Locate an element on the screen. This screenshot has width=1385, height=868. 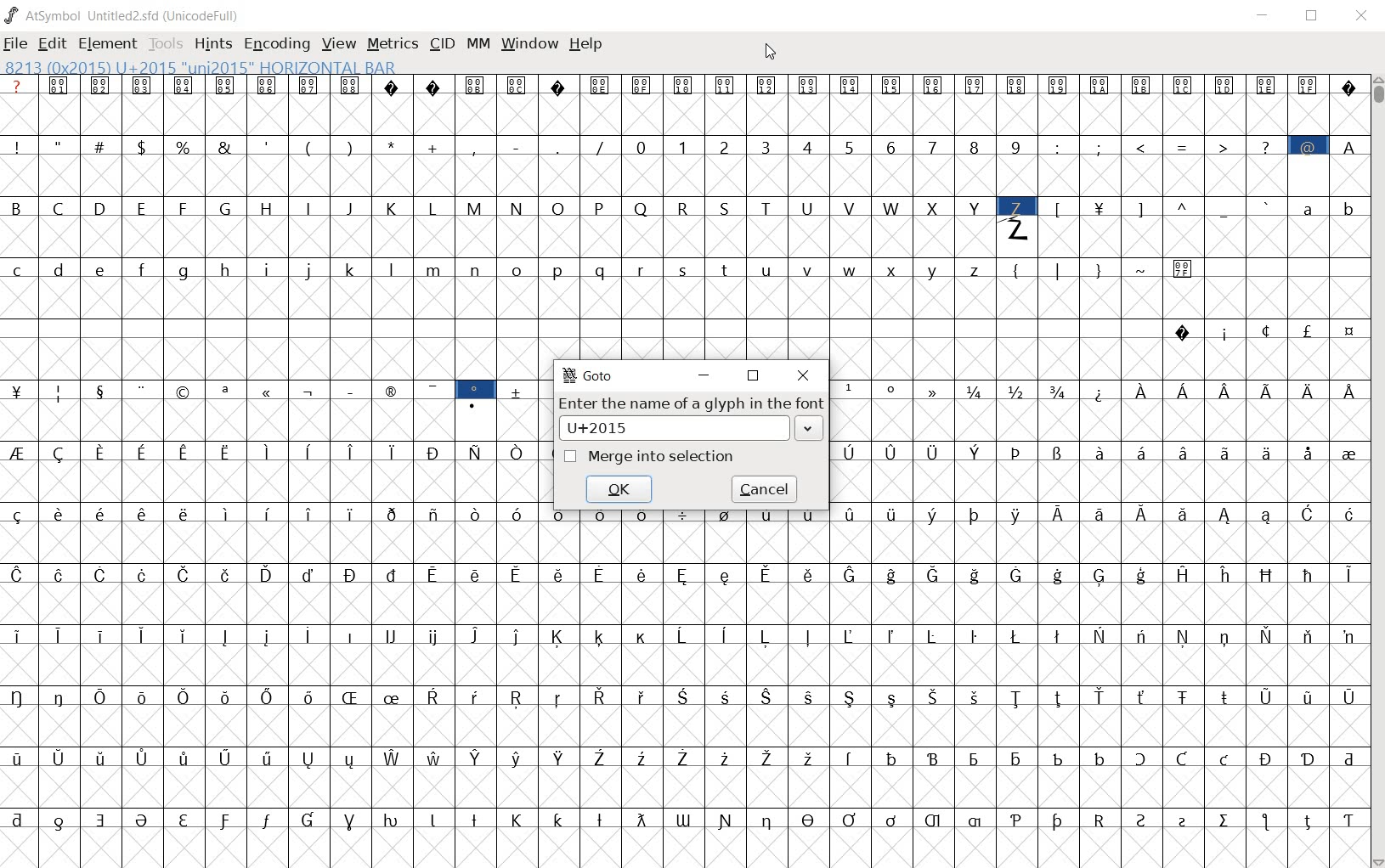
CID is located at coordinates (442, 43).